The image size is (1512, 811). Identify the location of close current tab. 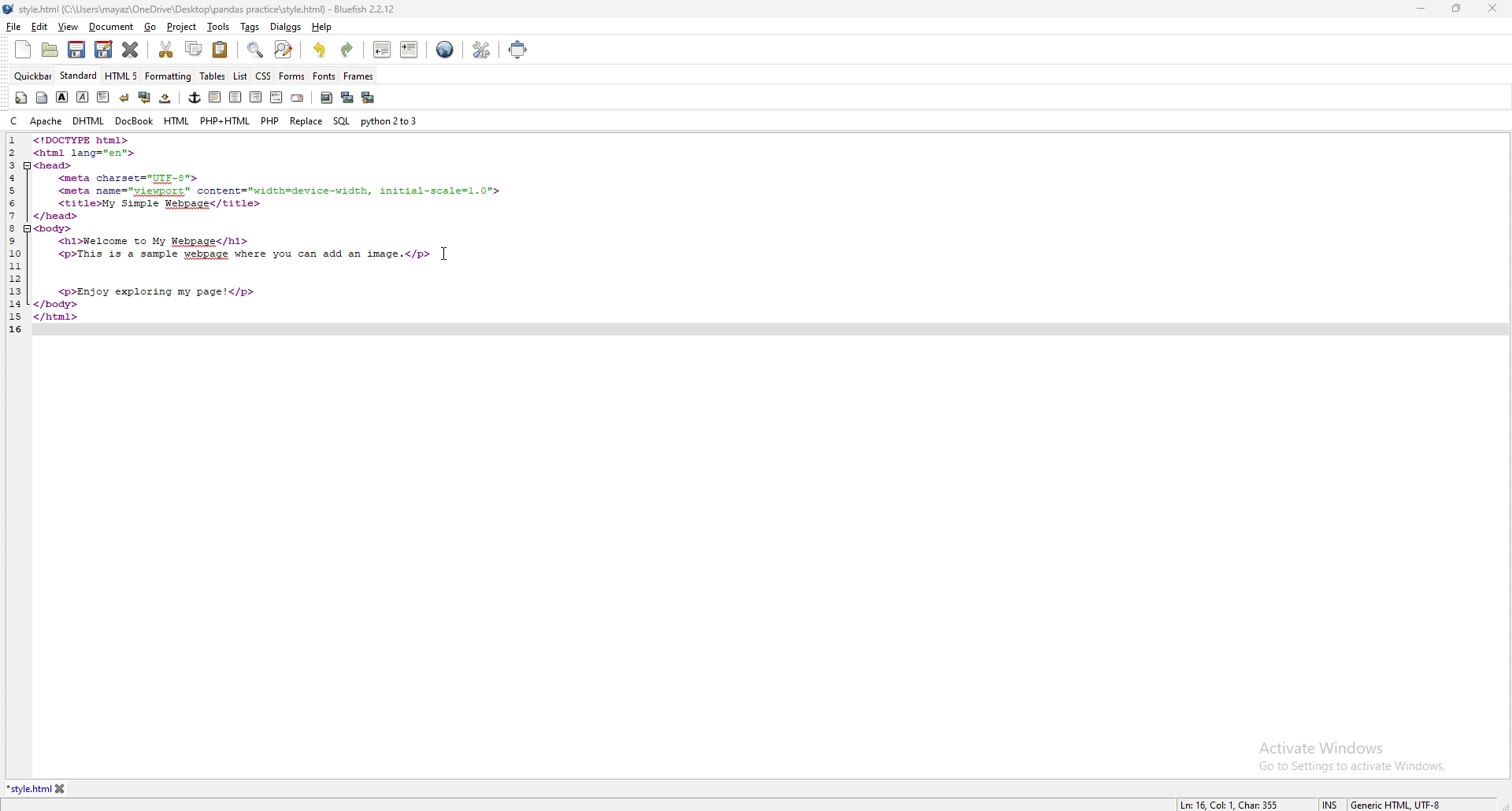
(132, 50).